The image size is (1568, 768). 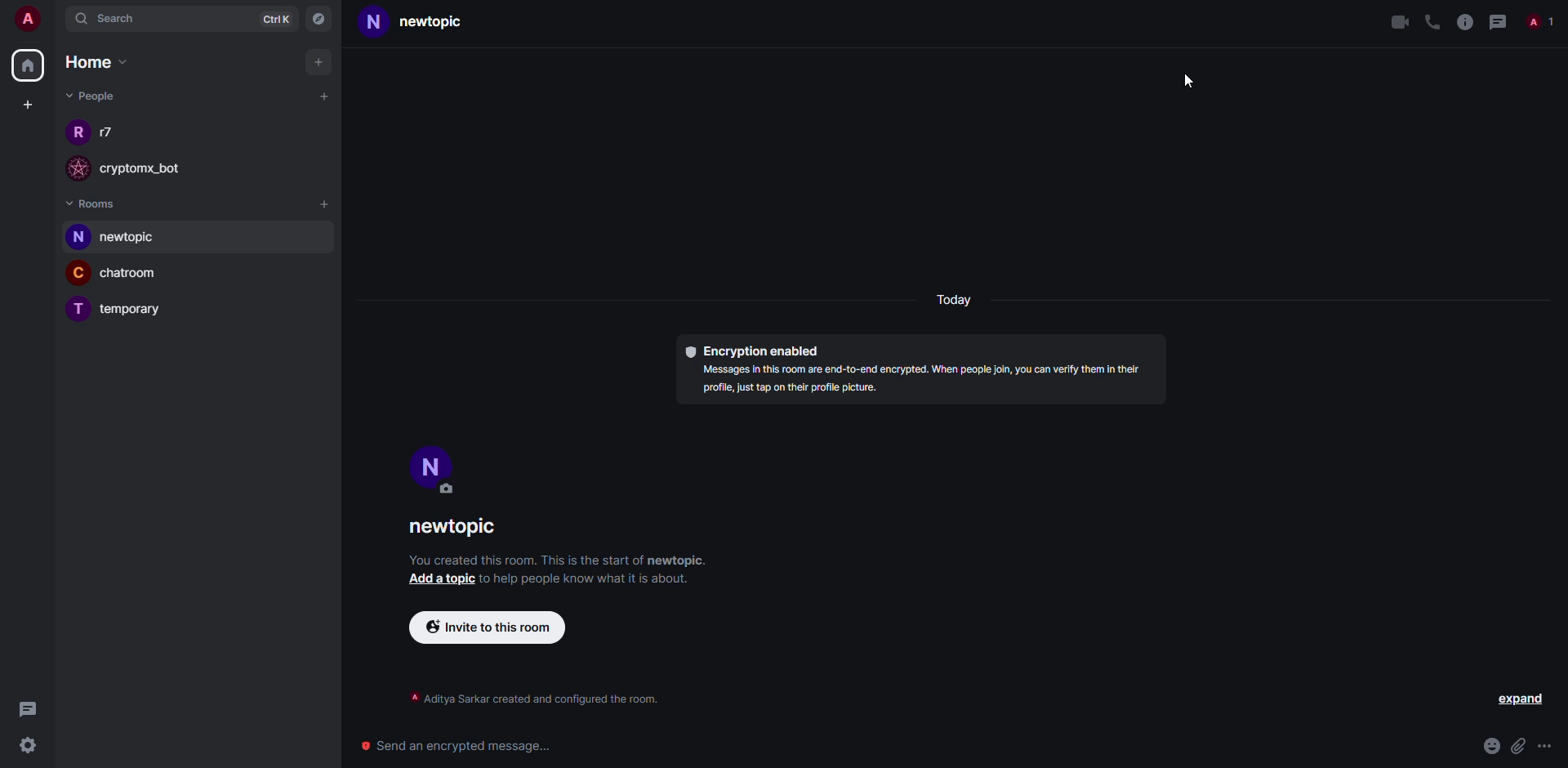 What do you see at coordinates (323, 96) in the screenshot?
I see `start chat` at bounding box center [323, 96].